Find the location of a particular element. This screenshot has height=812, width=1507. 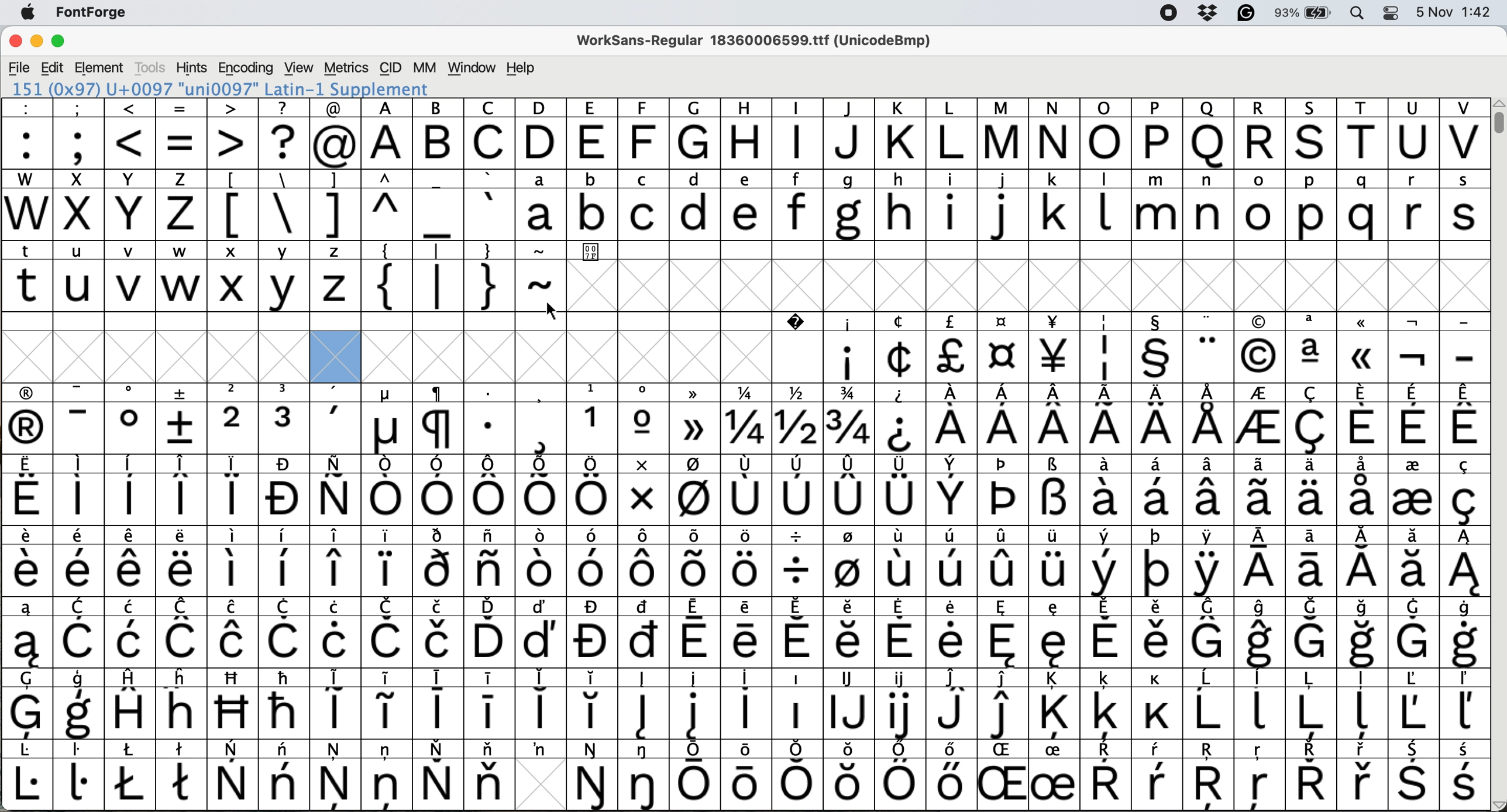

1/4 is located at coordinates (746, 419).